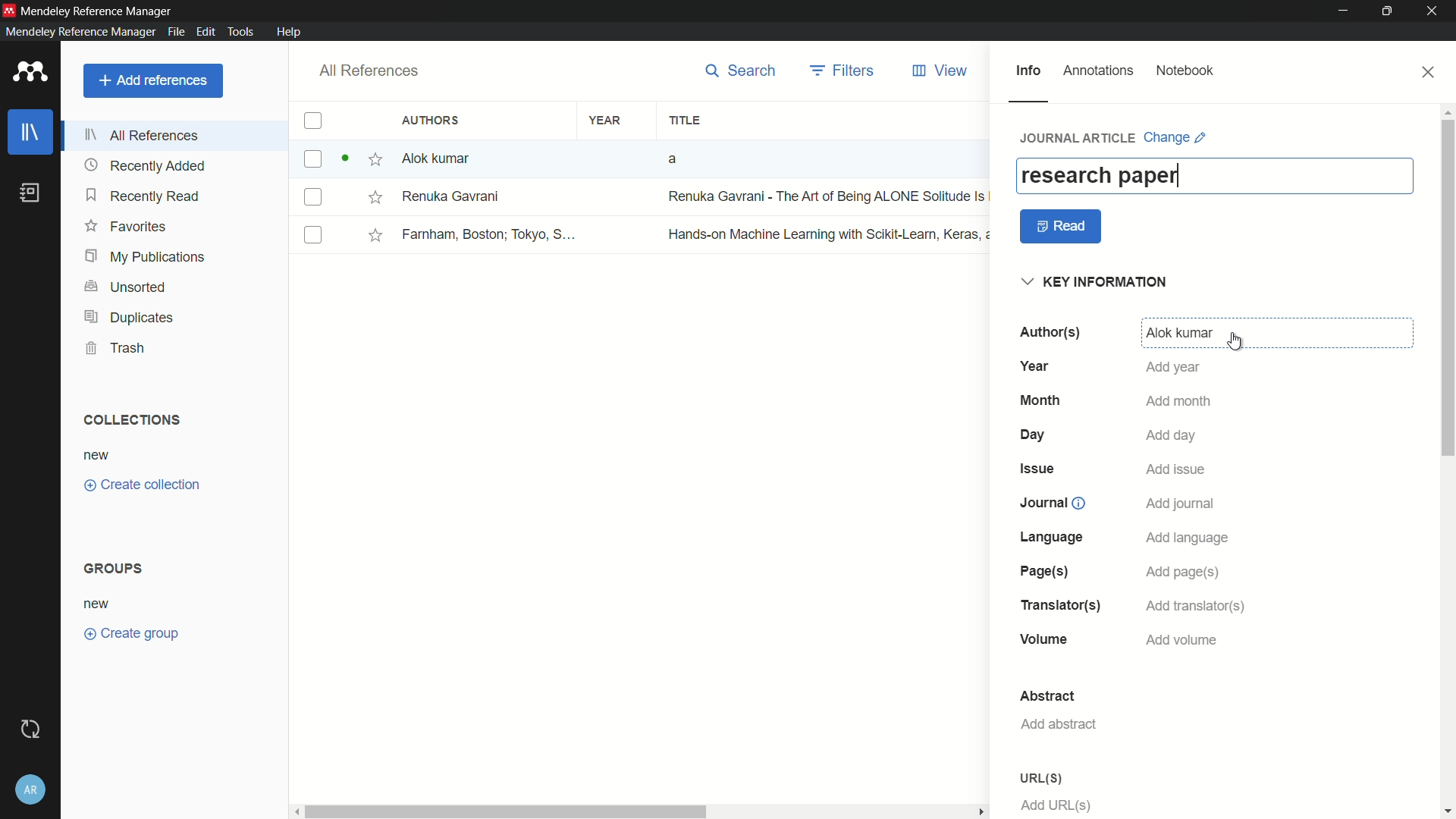 The width and height of the screenshot is (1456, 819). What do you see at coordinates (1172, 435) in the screenshot?
I see `add day` at bounding box center [1172, 435].